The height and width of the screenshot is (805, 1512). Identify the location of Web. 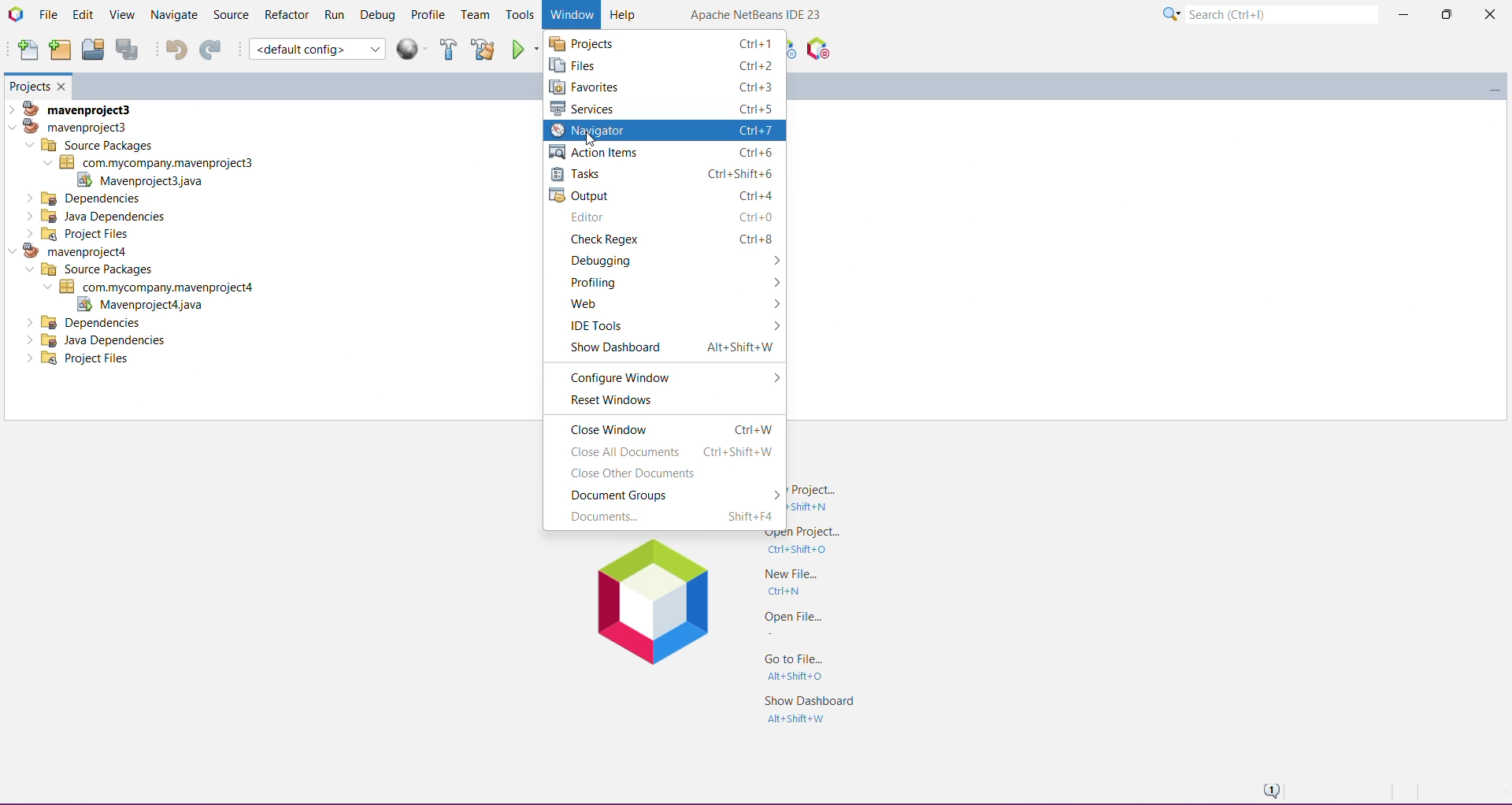
(669, 304).